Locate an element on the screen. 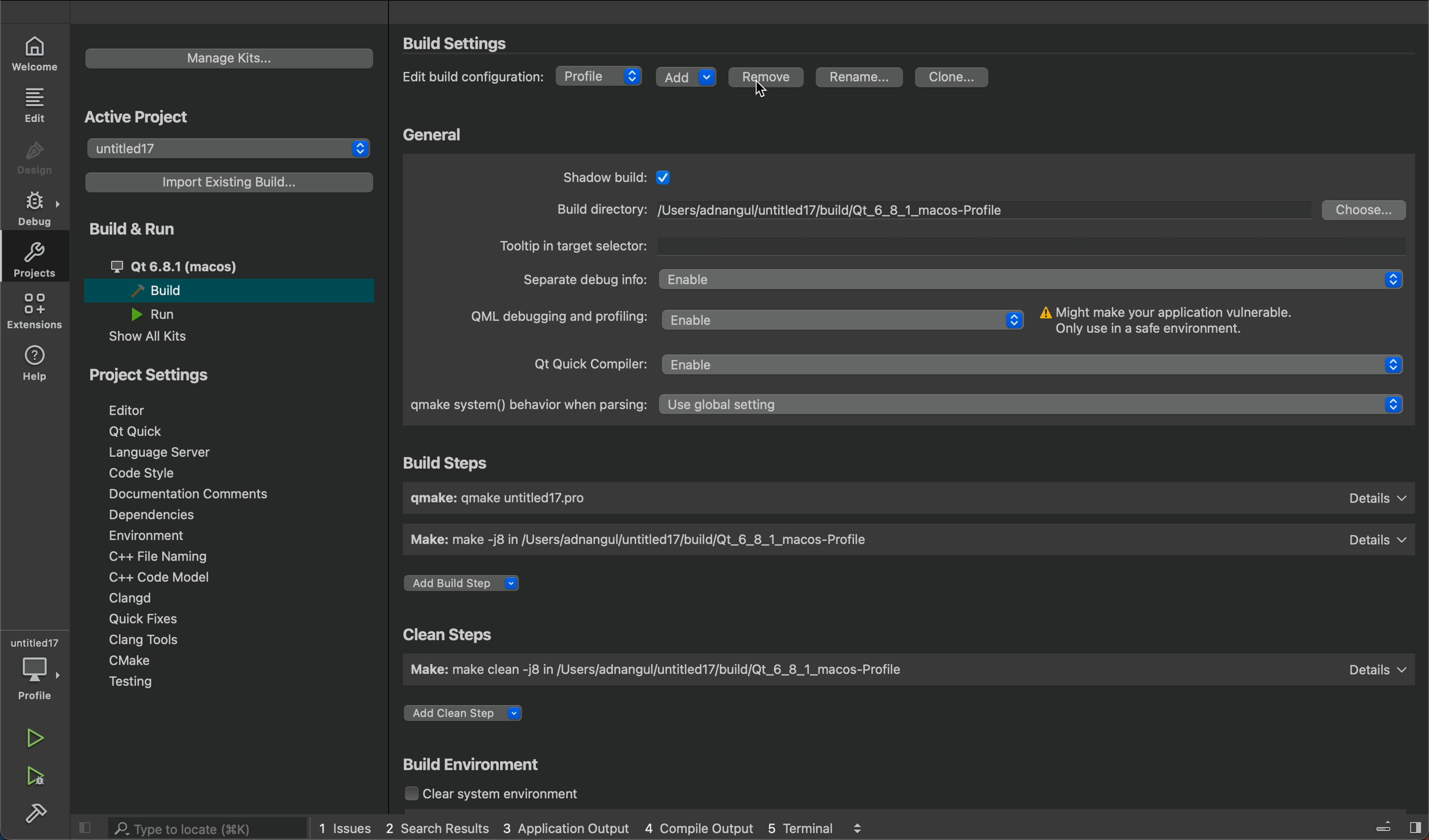 Image resolution: width=1429 pixels, height=840 pixels. cursor is located at coordinates (763, 94).